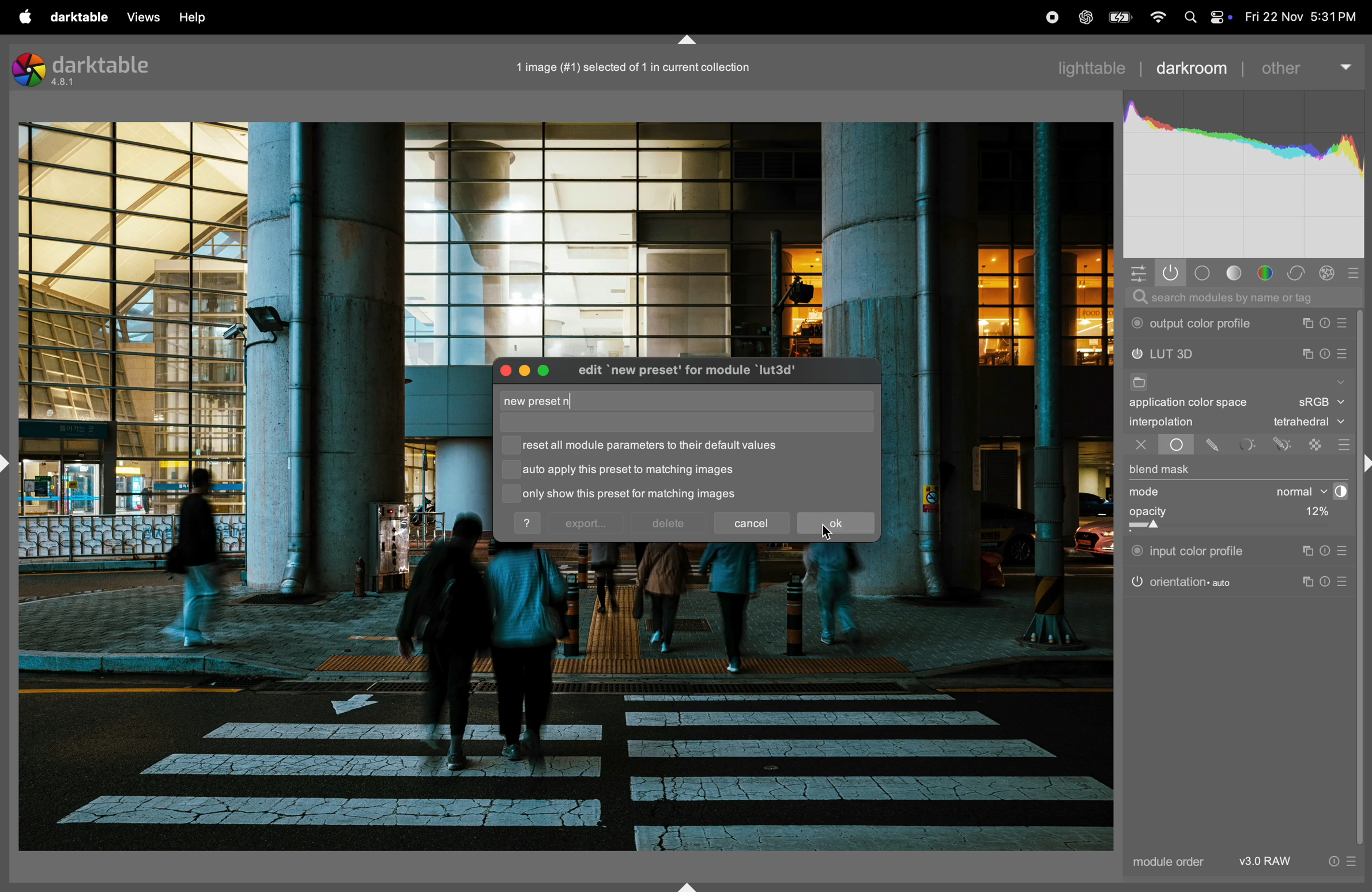 The width and height of the screenshot is (1372, 892). I want to click on reset parameters, so click(1329, 551).